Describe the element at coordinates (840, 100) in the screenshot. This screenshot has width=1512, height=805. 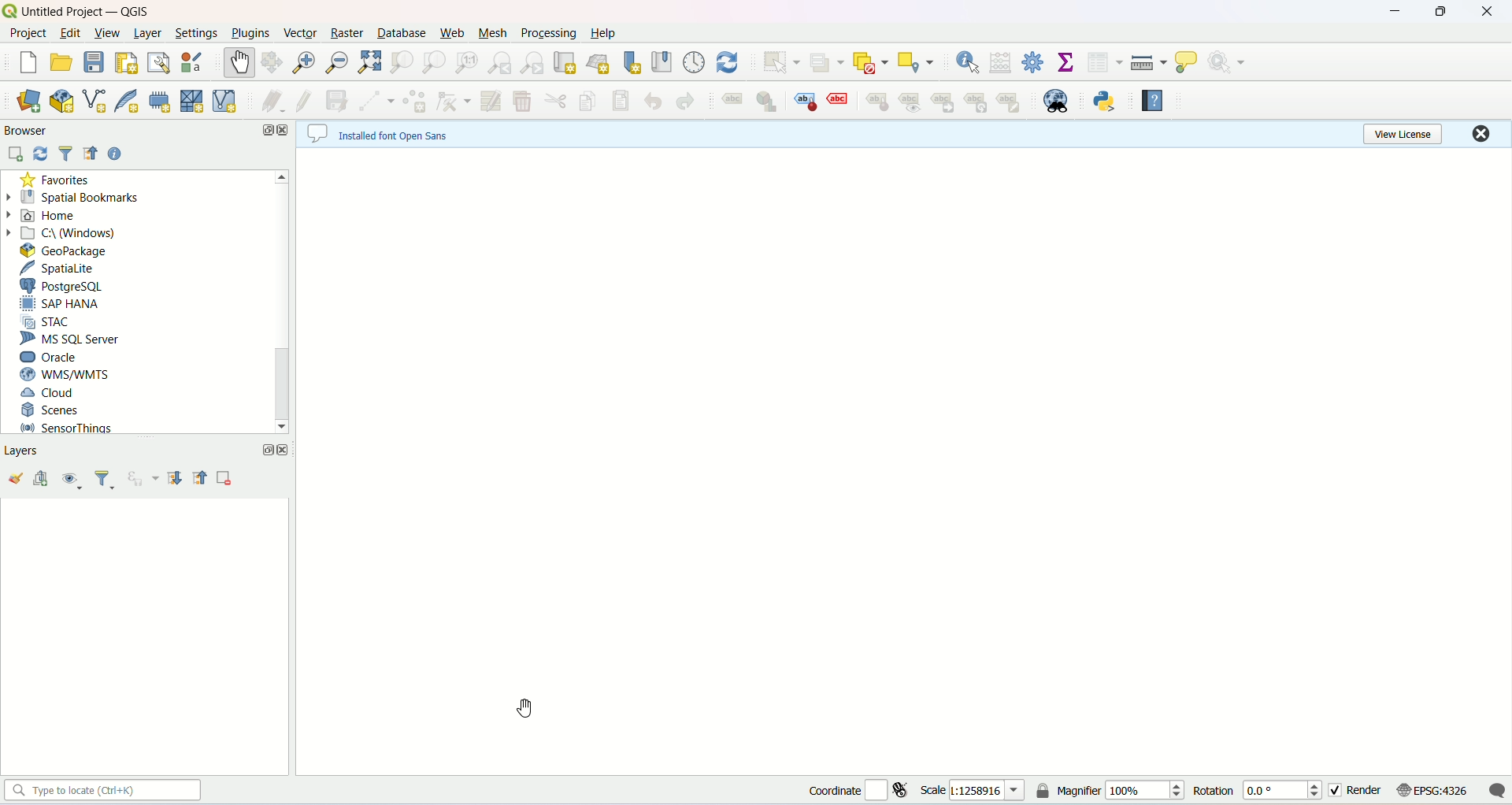
I see `toggle display of unplaced labels` at that location.